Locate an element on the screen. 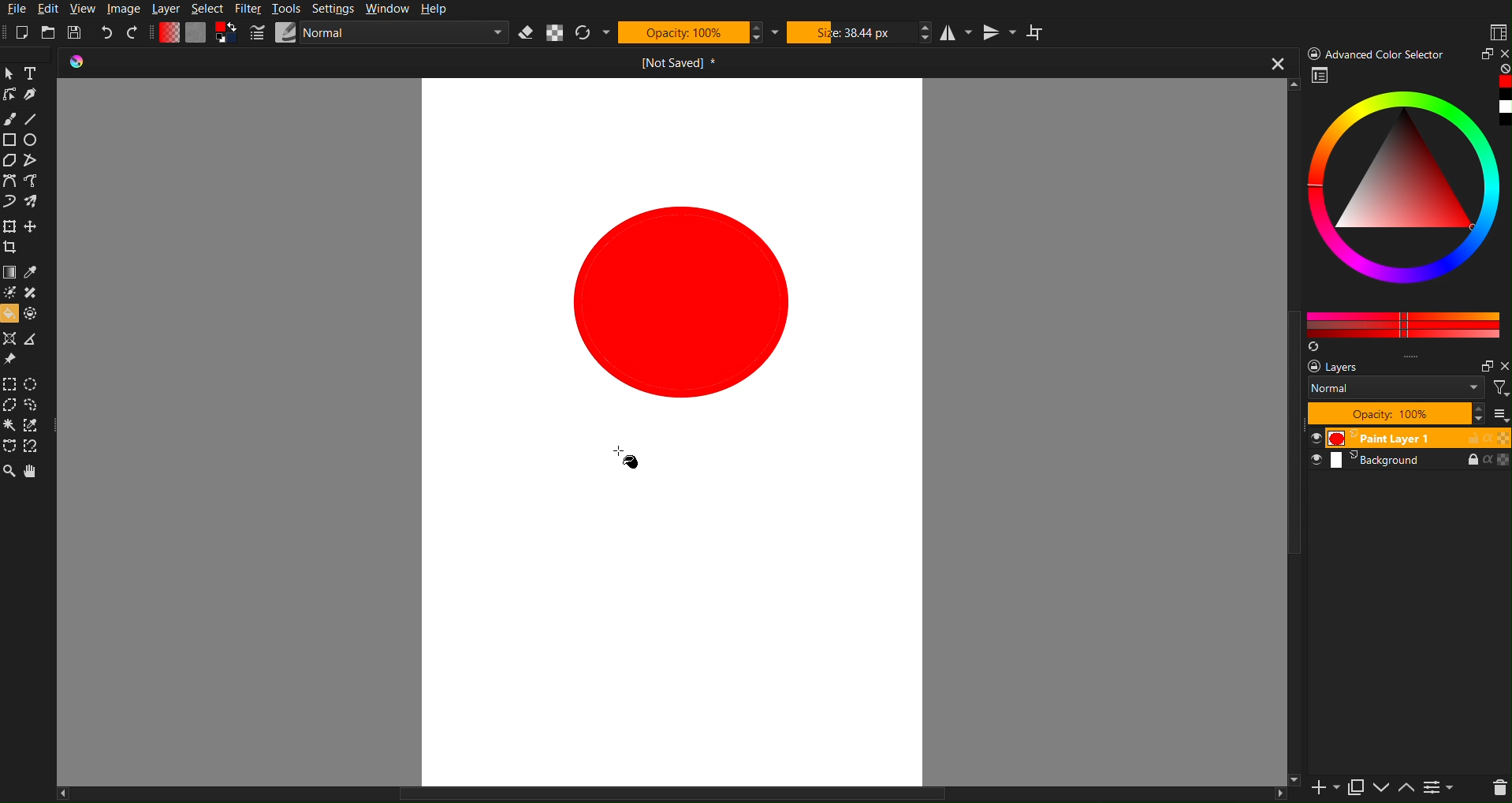  Color picker is located at coordinates (1409, 192).